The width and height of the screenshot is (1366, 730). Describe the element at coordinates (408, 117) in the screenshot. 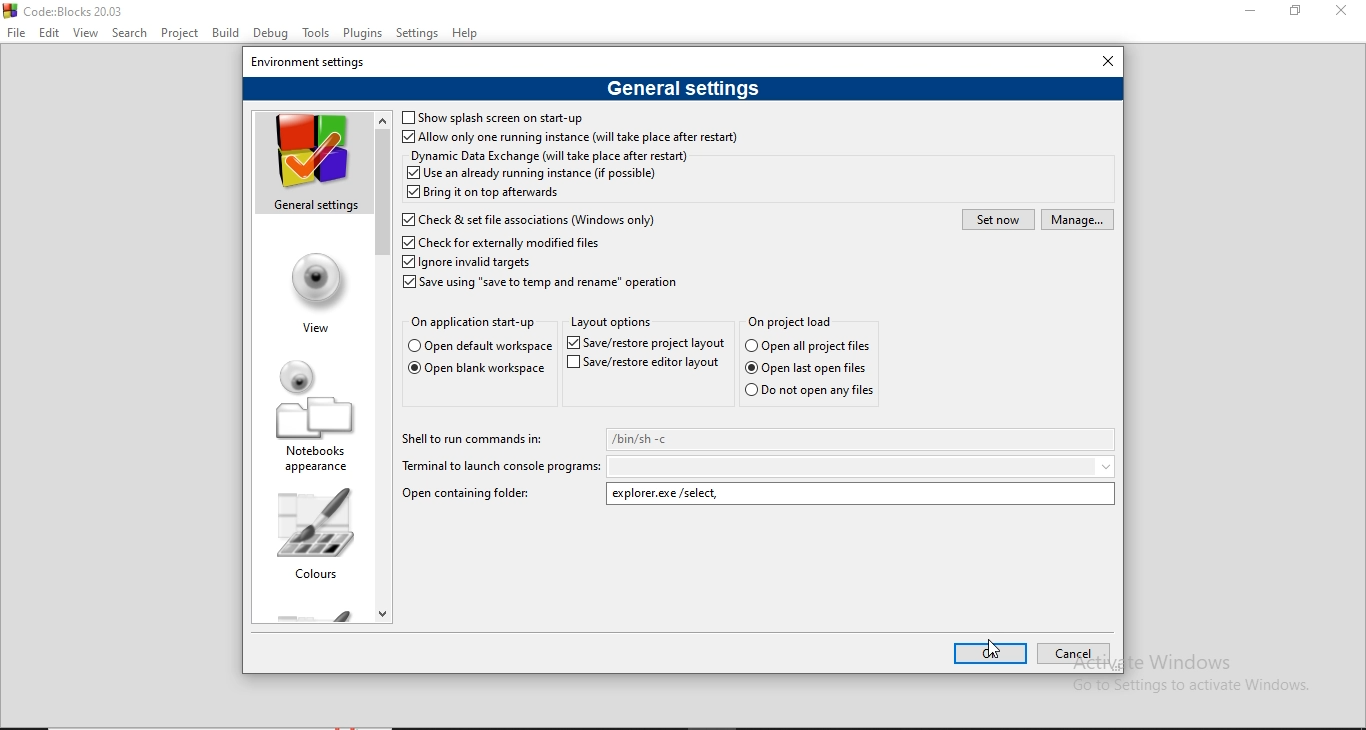

I see `unchecked` at that location.